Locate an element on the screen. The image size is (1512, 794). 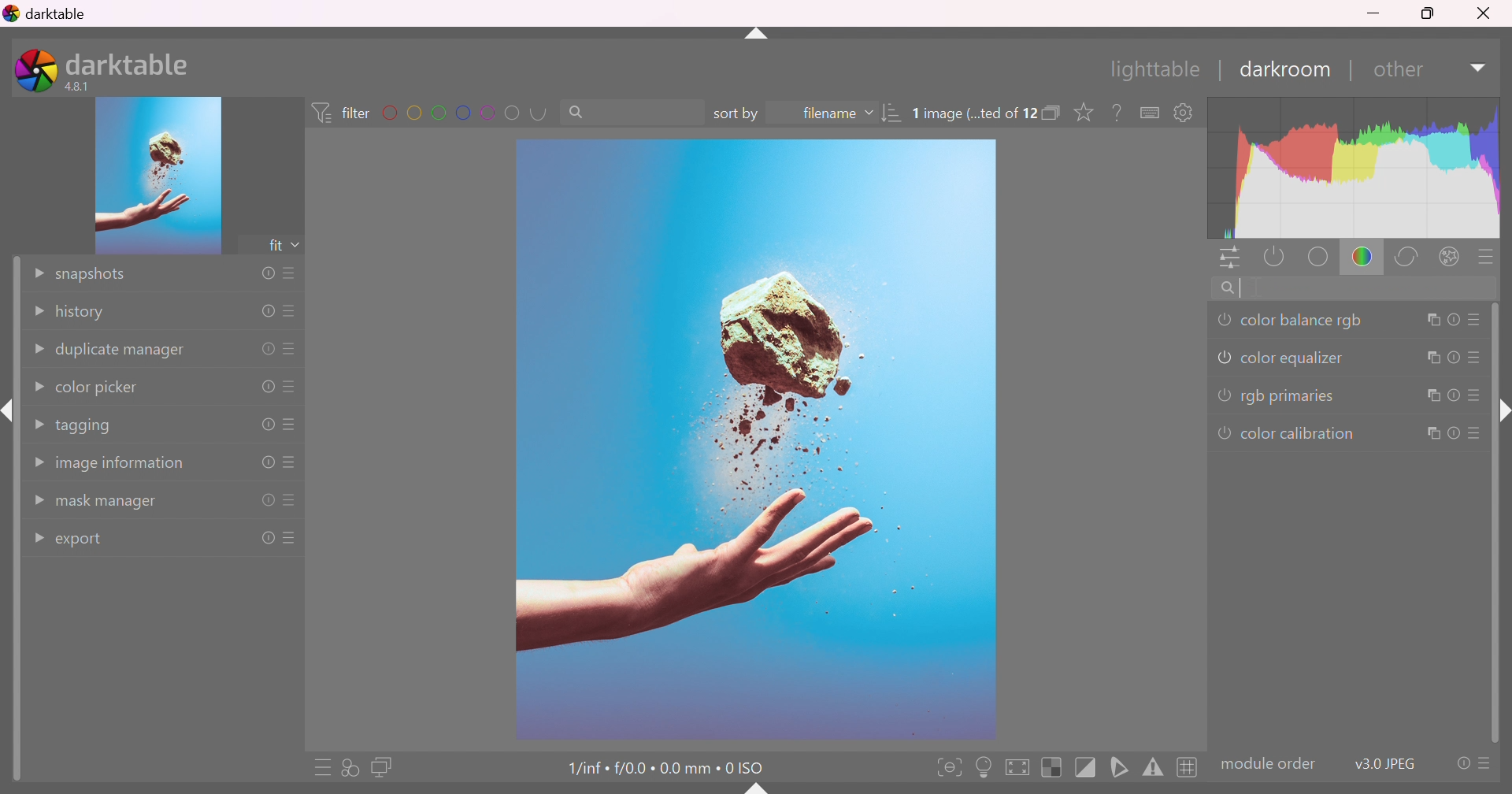
Drop Down is located at coordinates (1478, 69).